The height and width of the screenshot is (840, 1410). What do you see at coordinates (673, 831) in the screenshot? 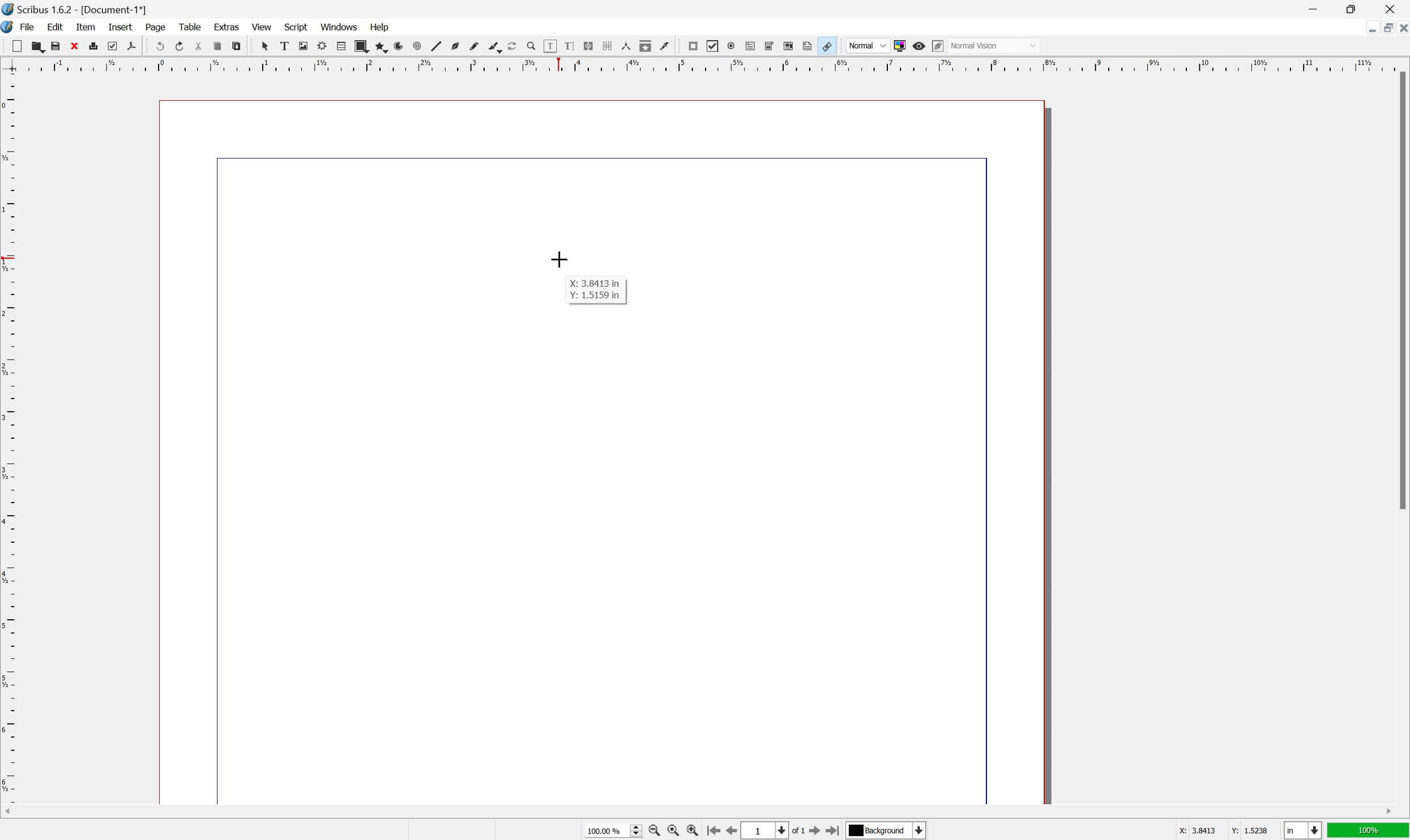
I see `zoom to 100%` at bounding box center [673, 831].